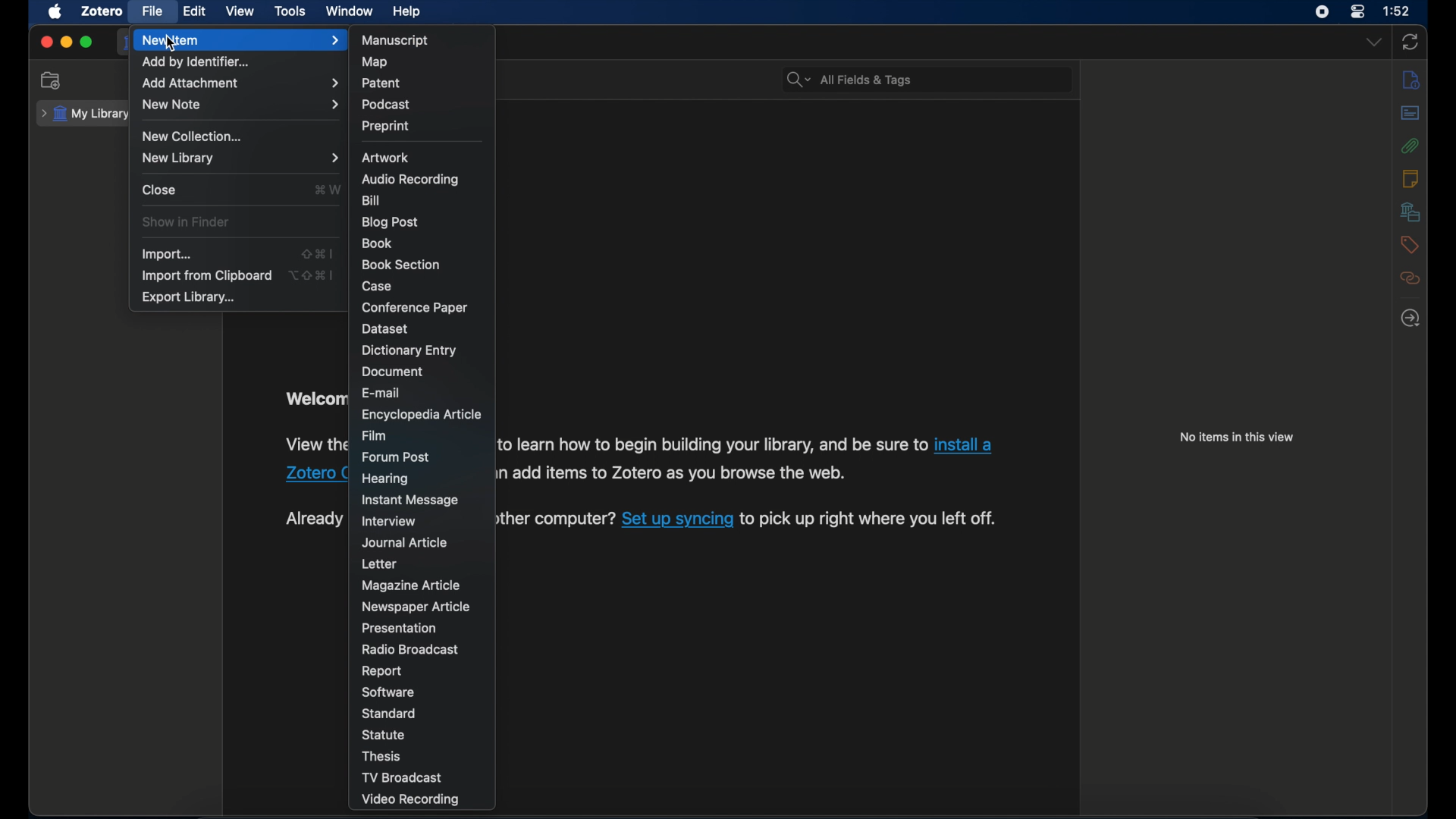 This screenshot has width=1456, height=819. Describe the element at coordinates (382, 392) in the screenshot. I see `e-mail` at that location.